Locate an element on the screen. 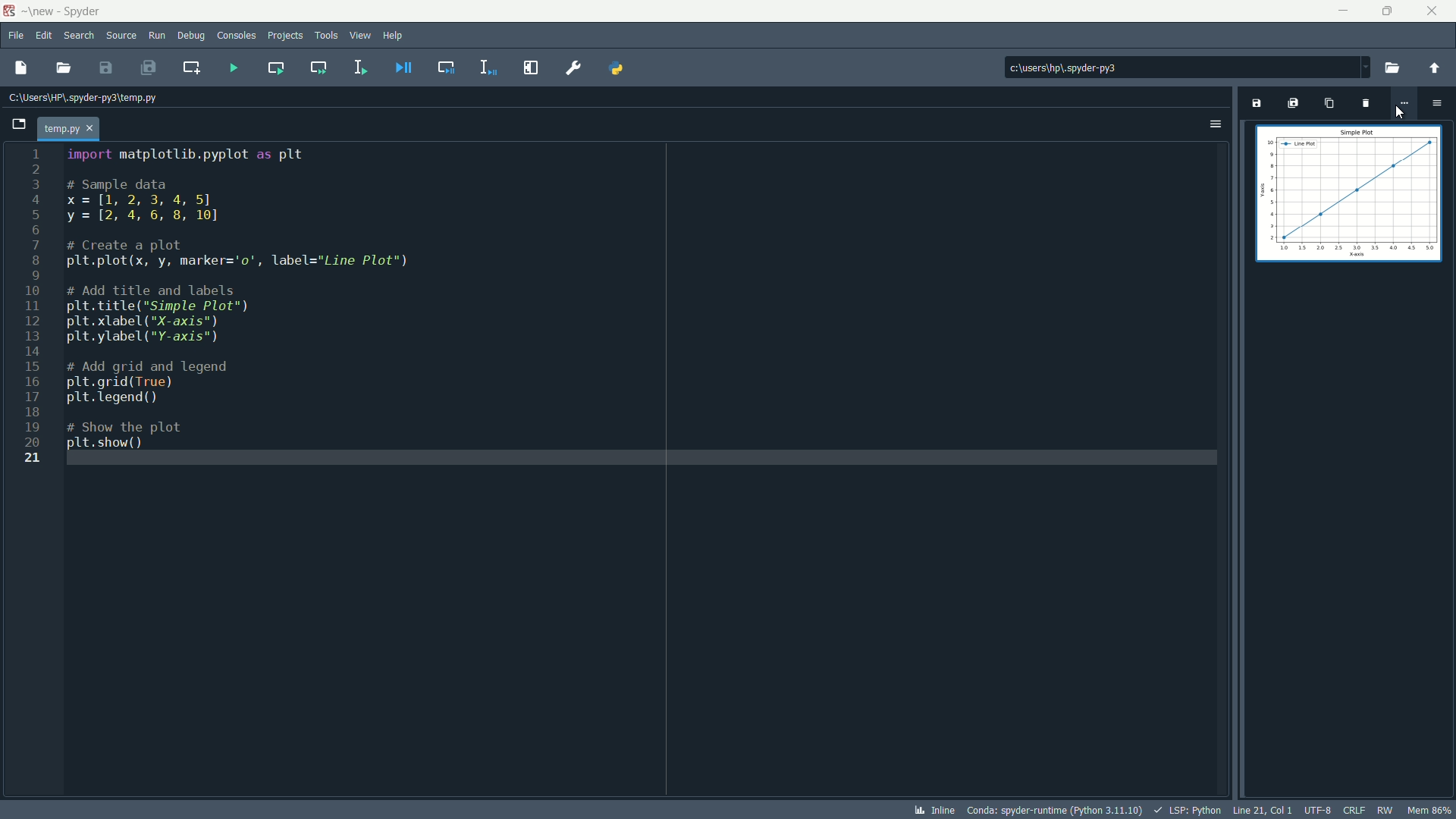 The image size is (1456, 819). line number is located at coordinates (32, 308).